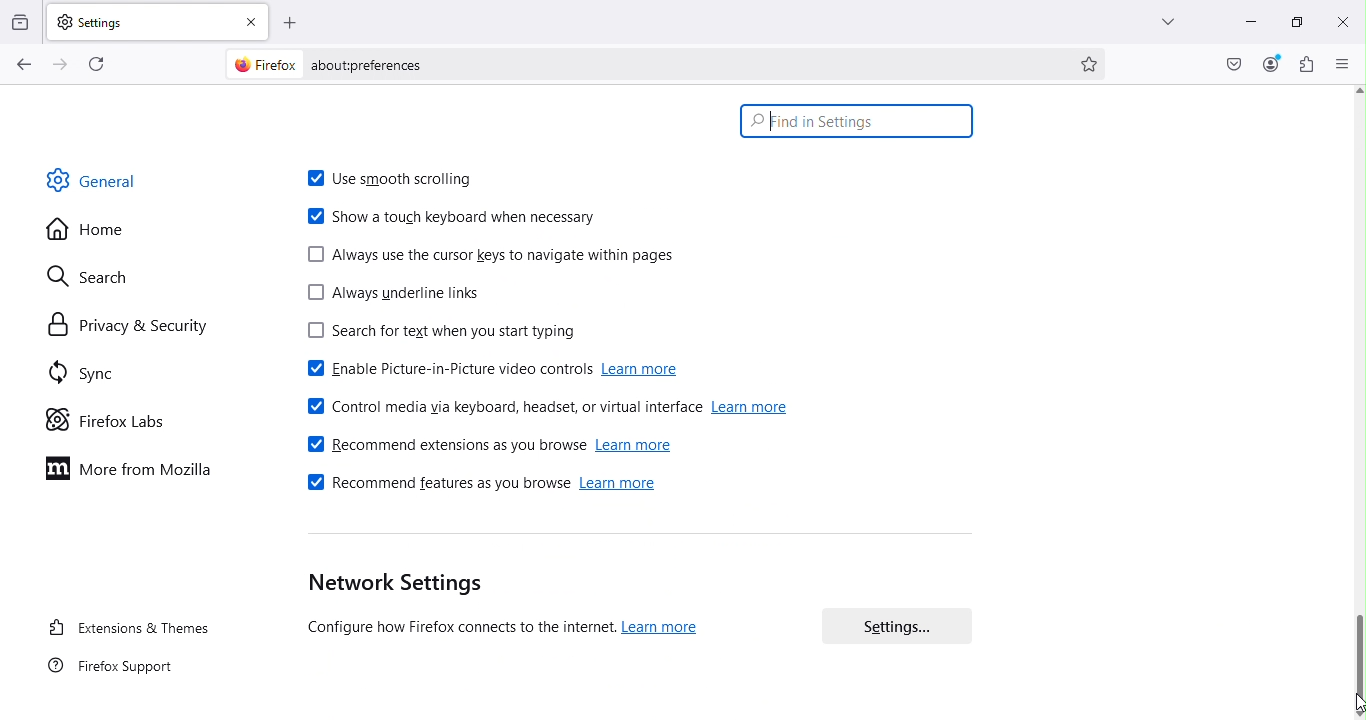 Image resolution: width=1366 pixels, height=720 pixels. Describe the element at coordinates (491, 444) in the screenshot. I see `Recommend extensions as you browse` at that location.